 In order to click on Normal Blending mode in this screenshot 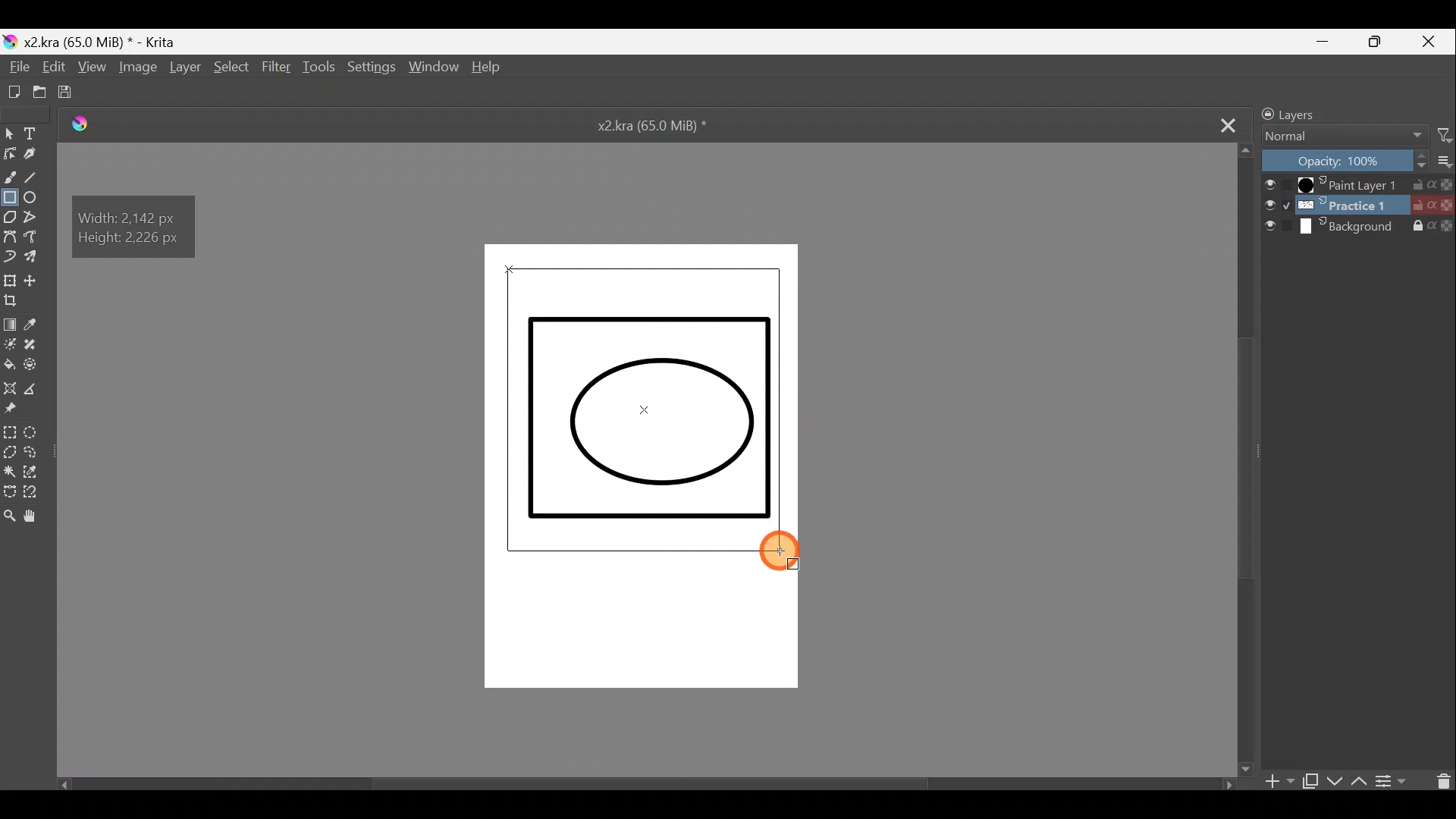, I will do `click(1341, 136)`.